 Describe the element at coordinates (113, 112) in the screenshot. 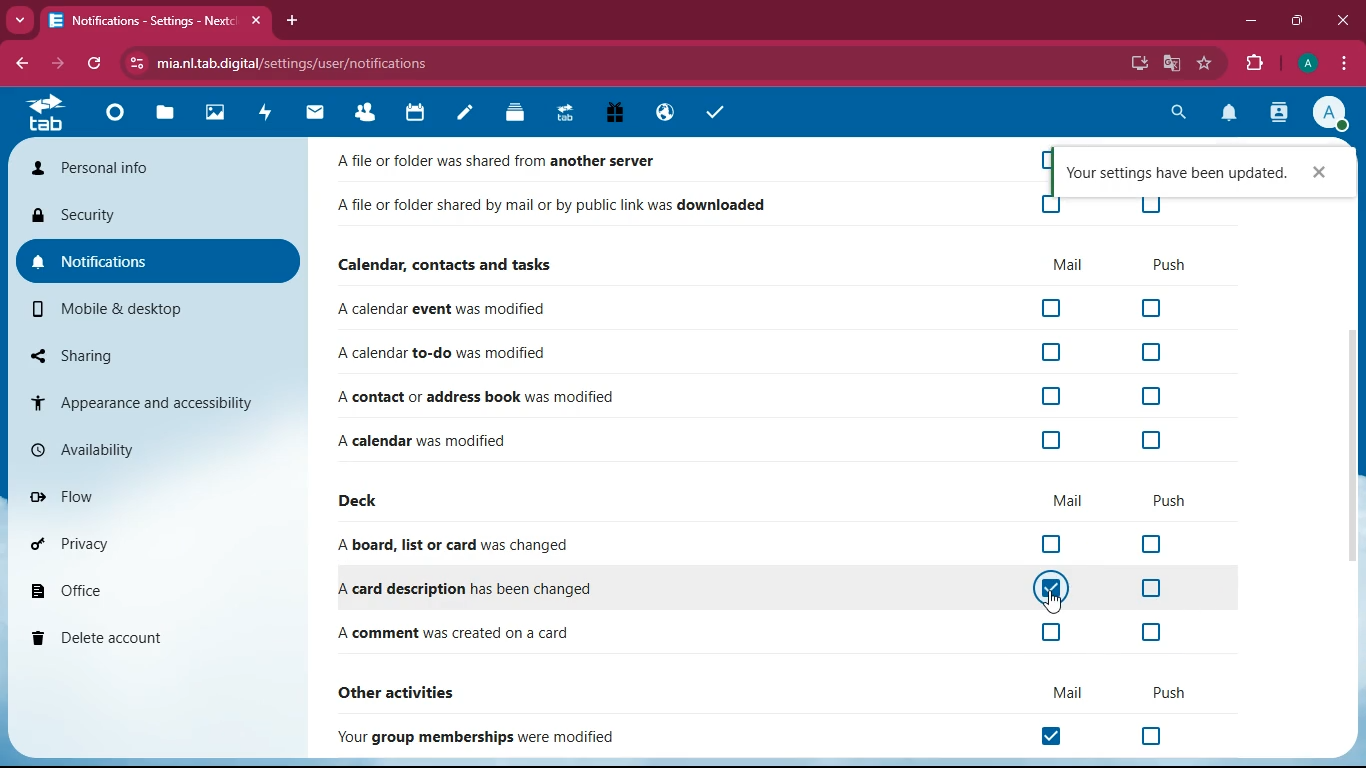

I see `home` at that location.